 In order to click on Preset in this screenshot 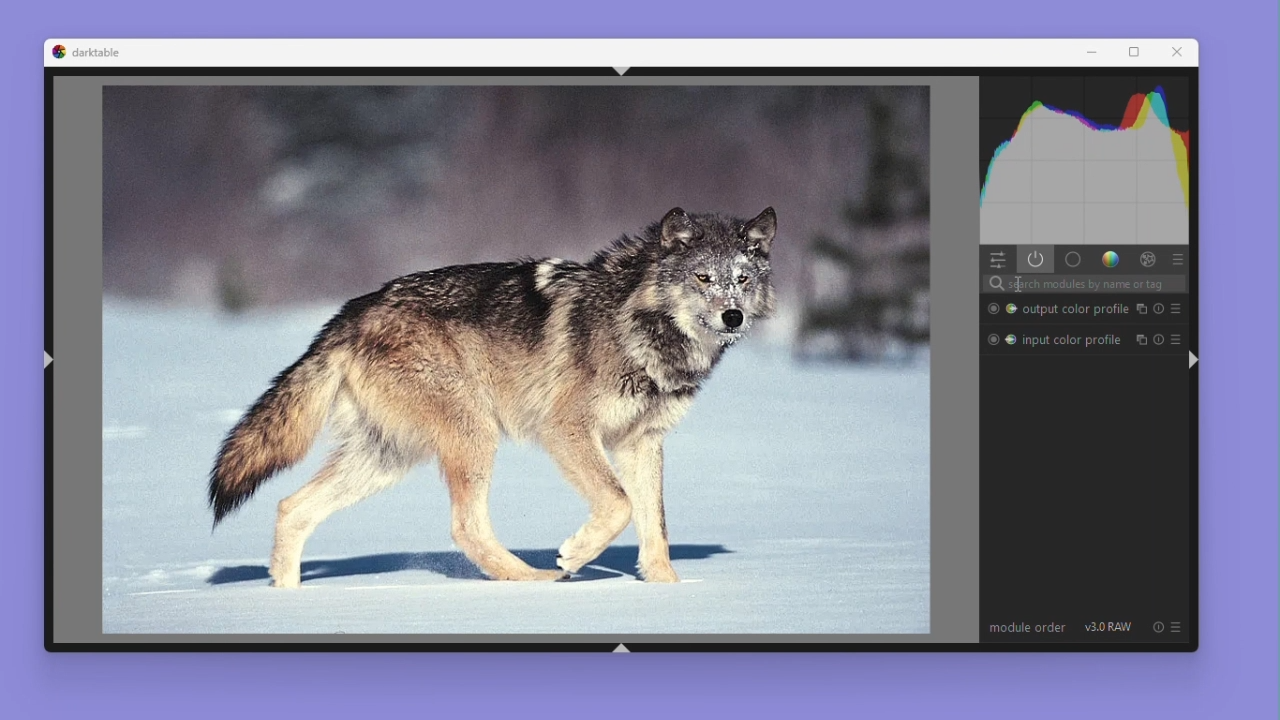, I will do `click(1178, 260)`.